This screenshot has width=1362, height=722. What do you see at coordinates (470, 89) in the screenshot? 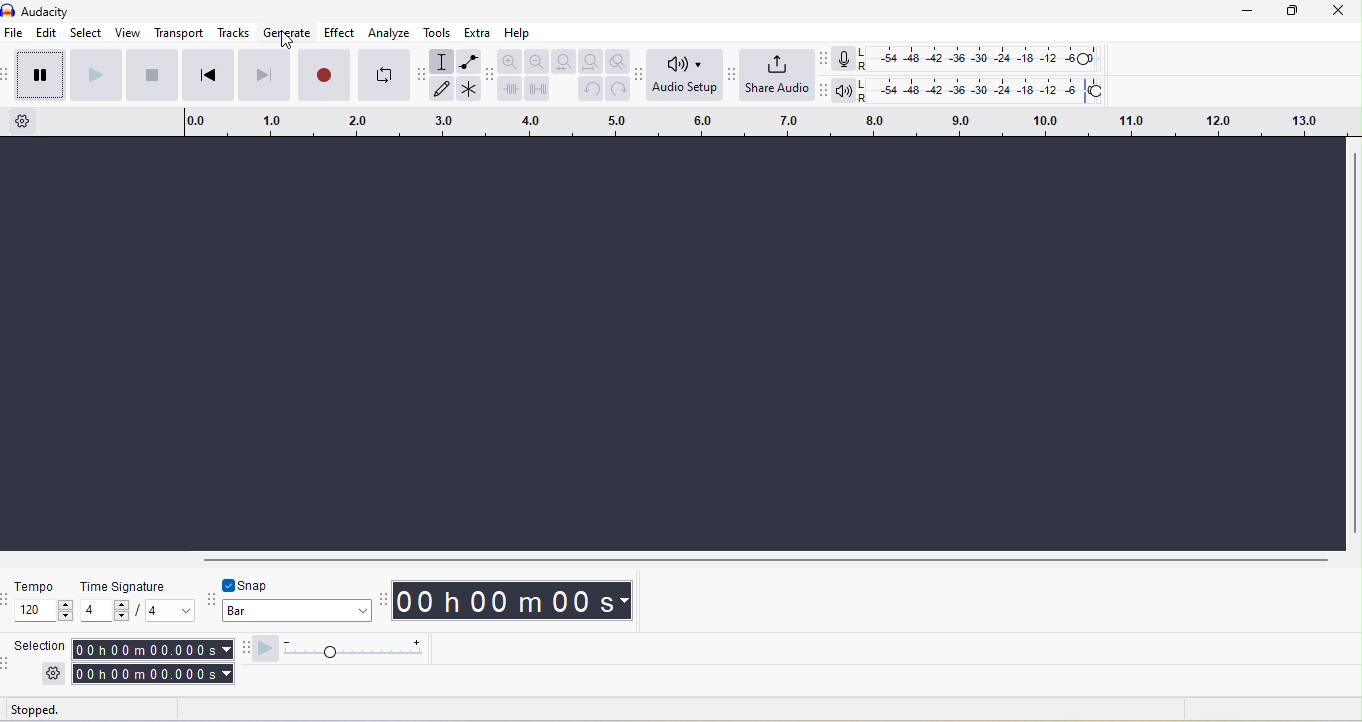
I see `multi tool` at bounding box center [470, 89].